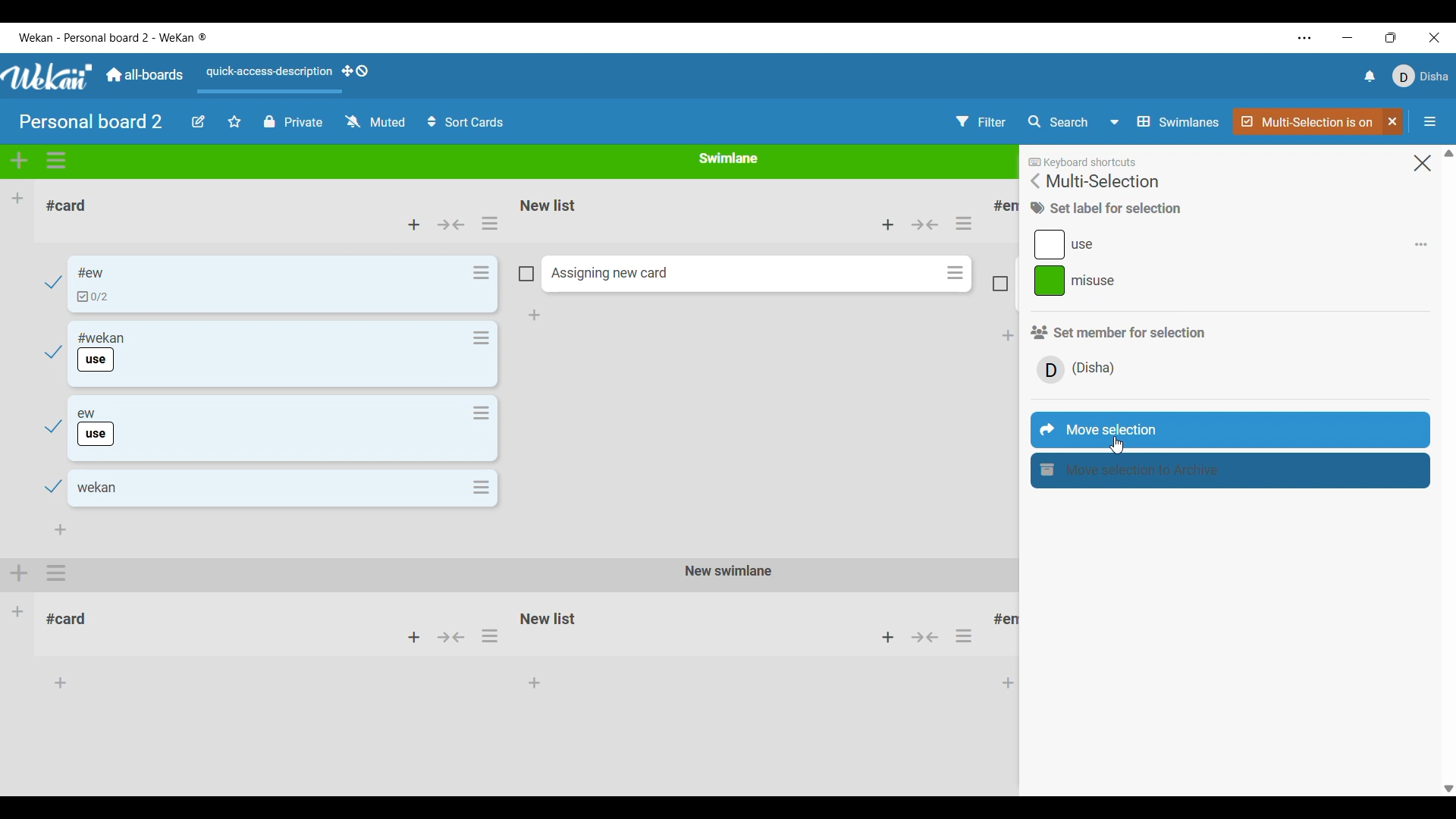  Describe the element at coordinates (1435, 37) in the screenshot. I see `Close interface` at that location.